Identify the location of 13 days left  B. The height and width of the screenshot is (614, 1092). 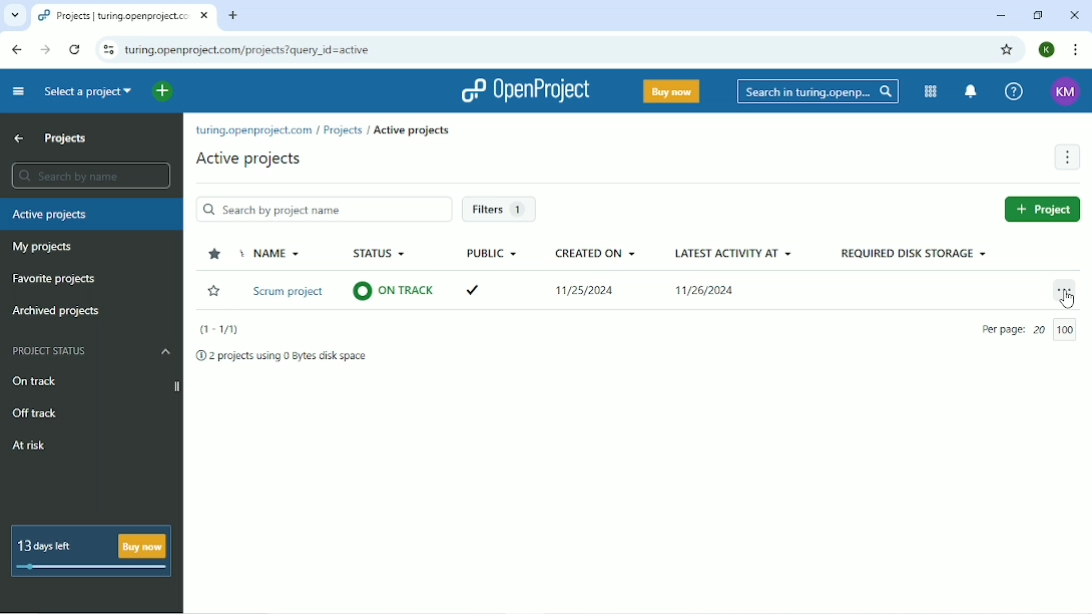
(55, 542).